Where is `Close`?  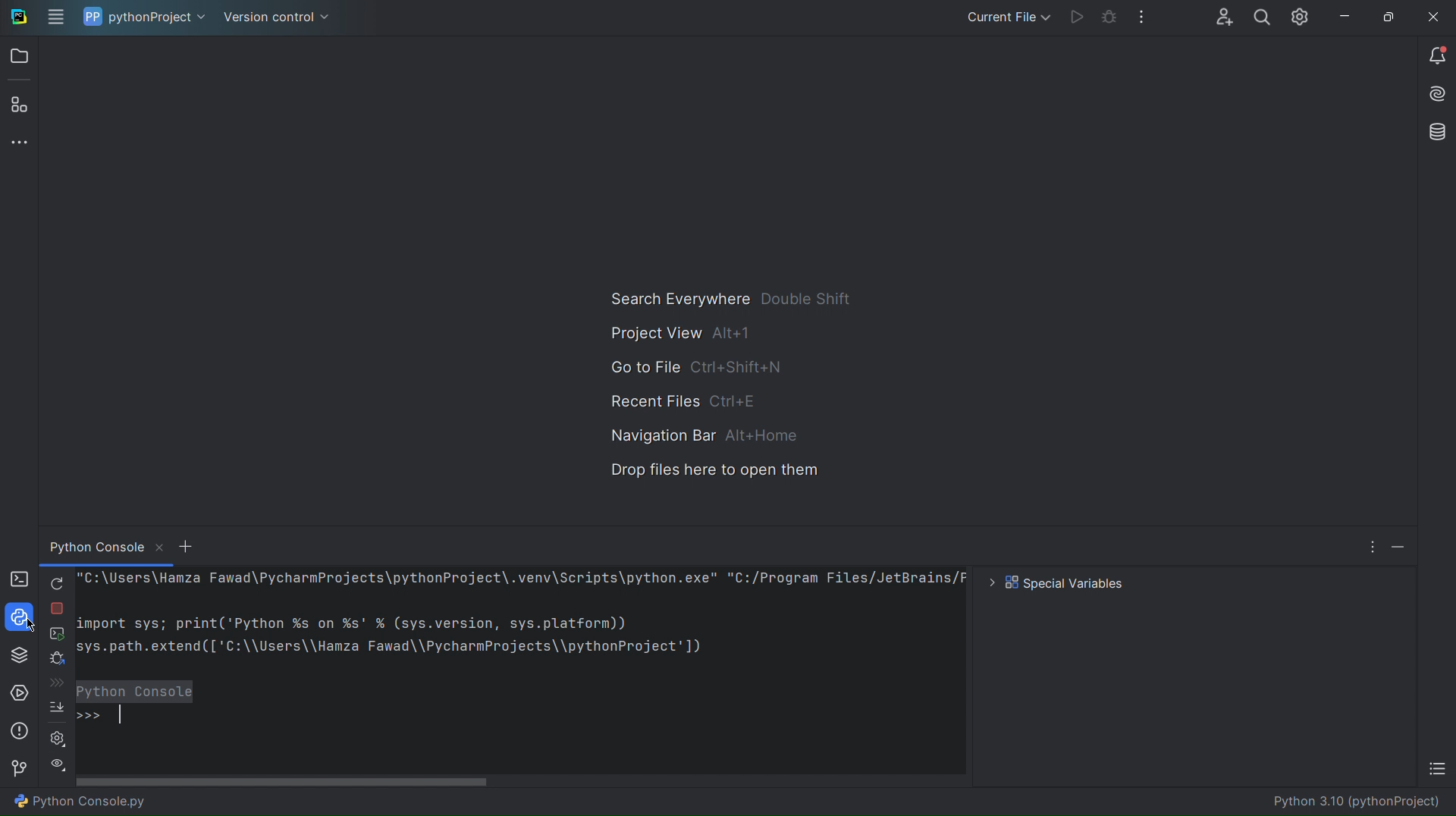 Close is located at coordinates (1433, 17).